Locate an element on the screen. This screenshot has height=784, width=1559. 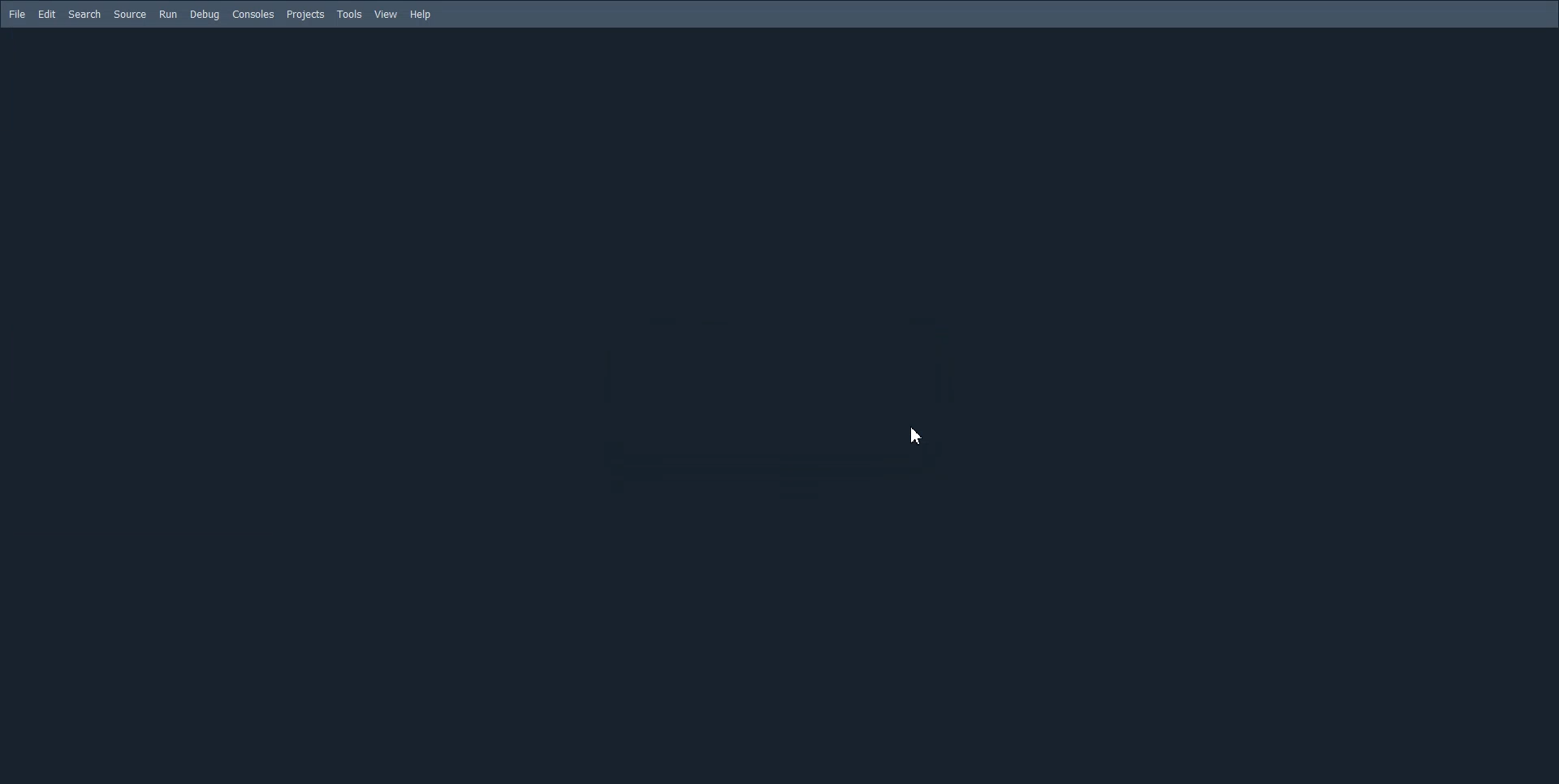
Help is located at coordinates (422, 15).